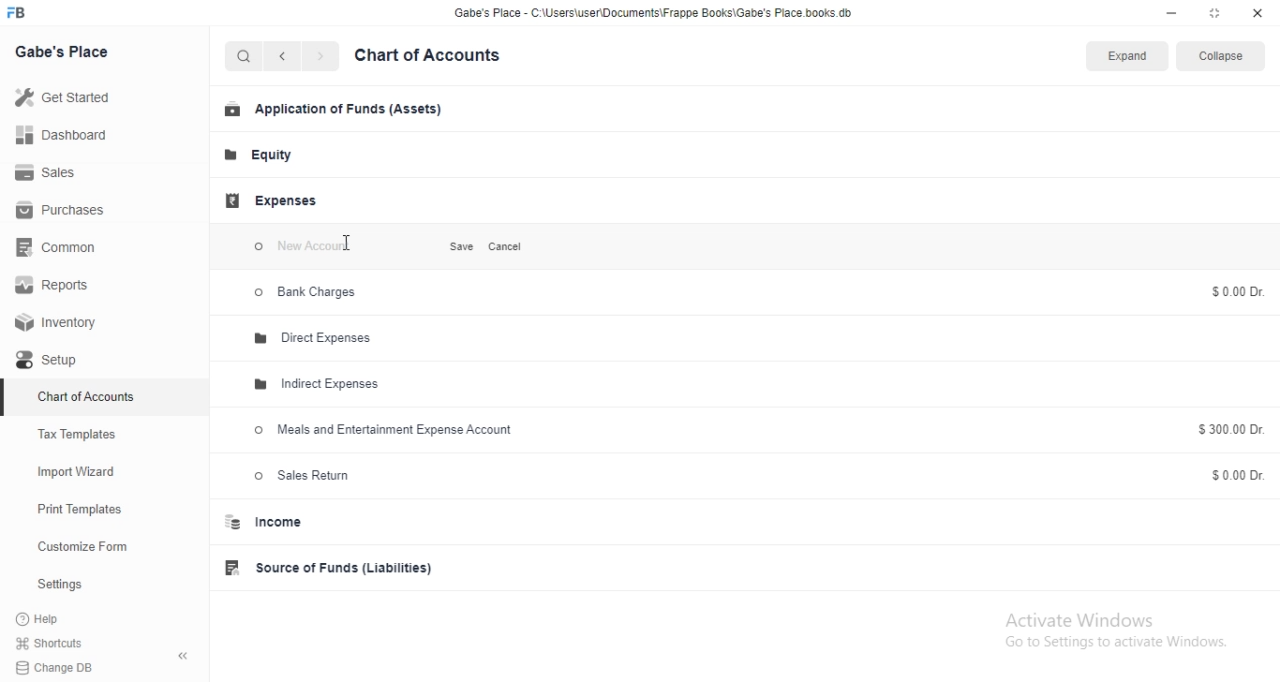 The width and height of the screenshot is (1280, 682). What do you see at coordinates (63, 584) in the screenshot?
I see `Settings` at bounding box center [63, 584].